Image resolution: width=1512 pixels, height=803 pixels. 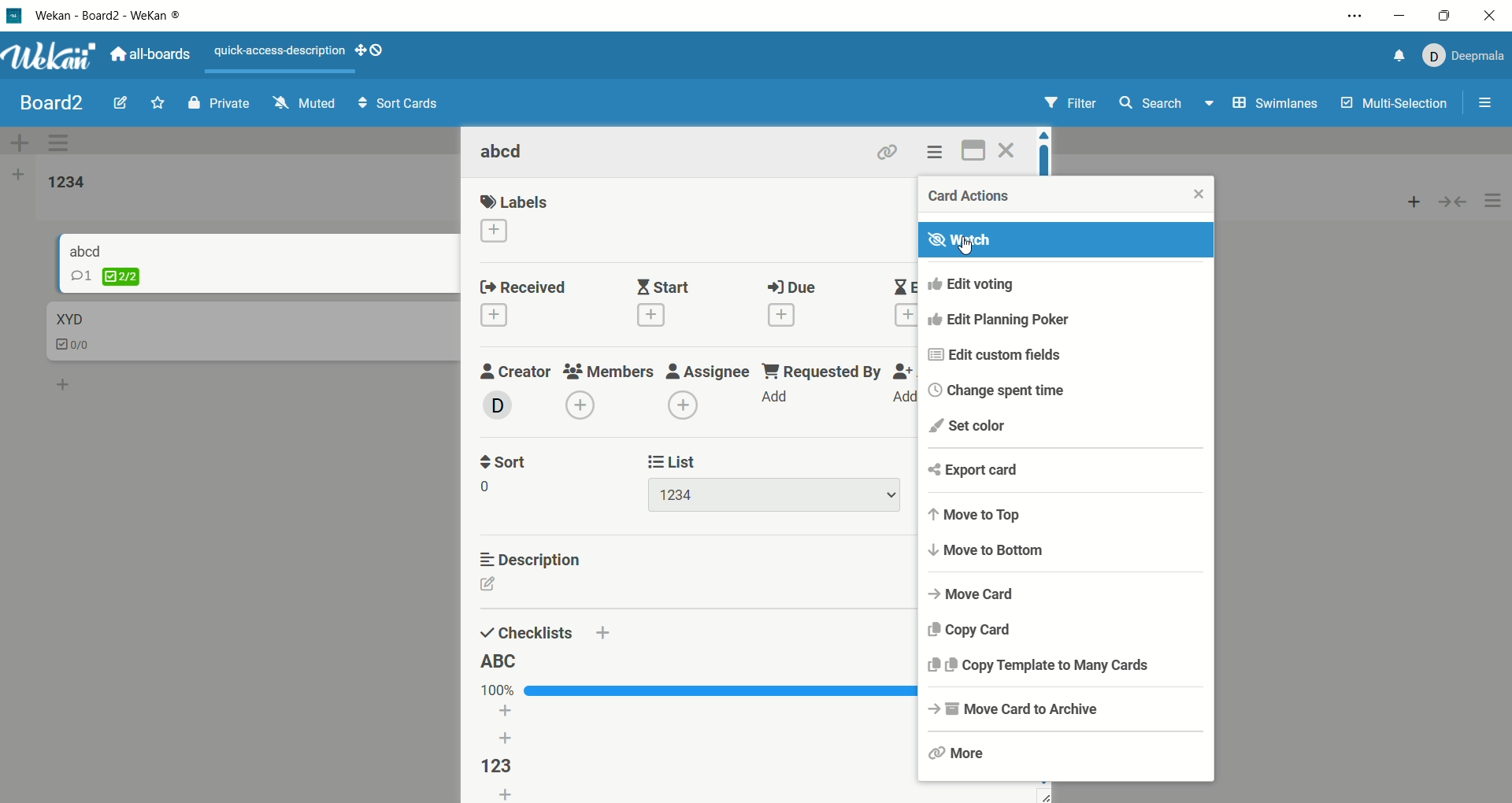 What do you see at coordinates (500, 768) in the screenshot?
I see `checklist` at bounding box center [500, 768].